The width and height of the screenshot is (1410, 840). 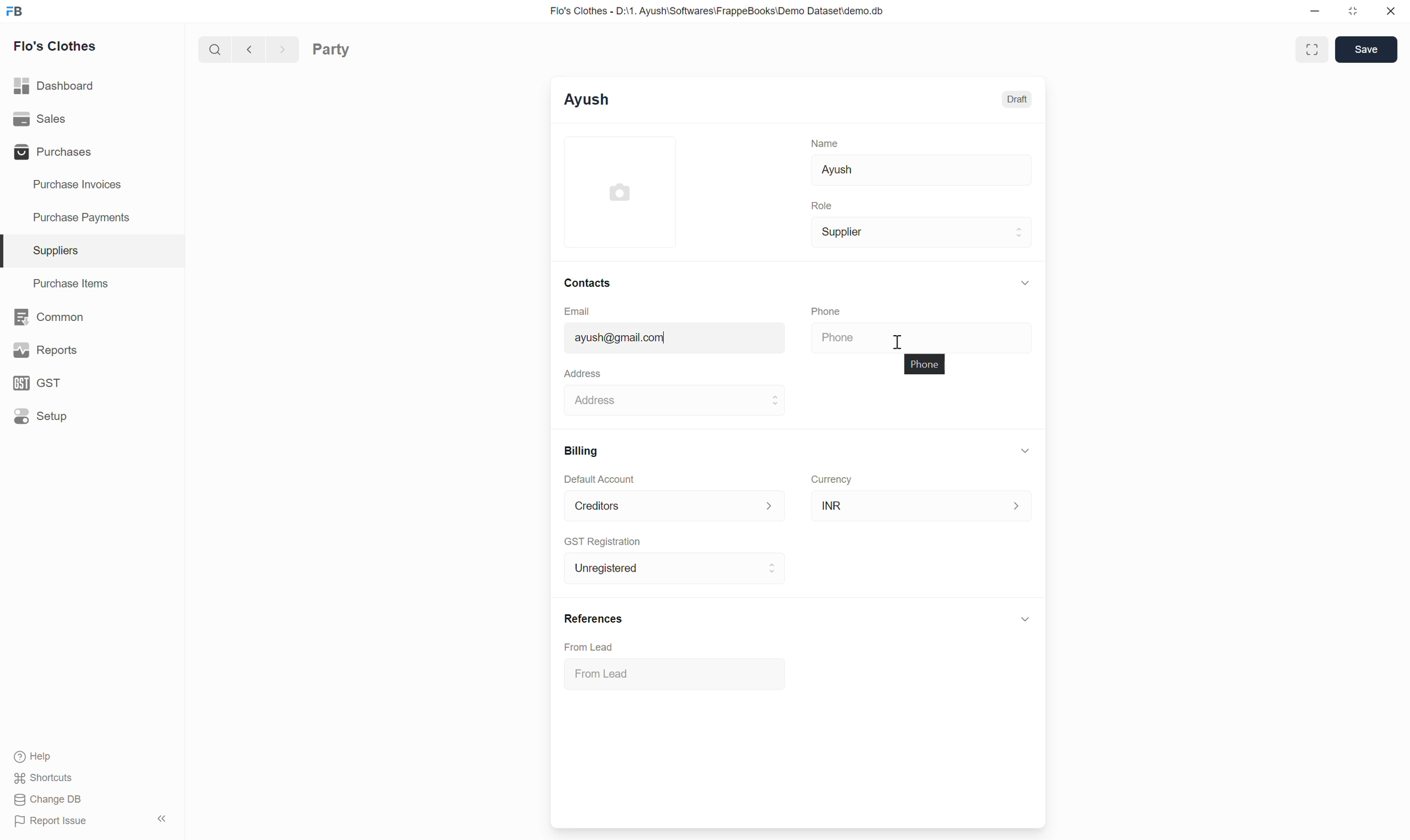 What do you see at coordinates (92, 119) in the screenshot?
I see `Sales` at bounding box center [92, 119].